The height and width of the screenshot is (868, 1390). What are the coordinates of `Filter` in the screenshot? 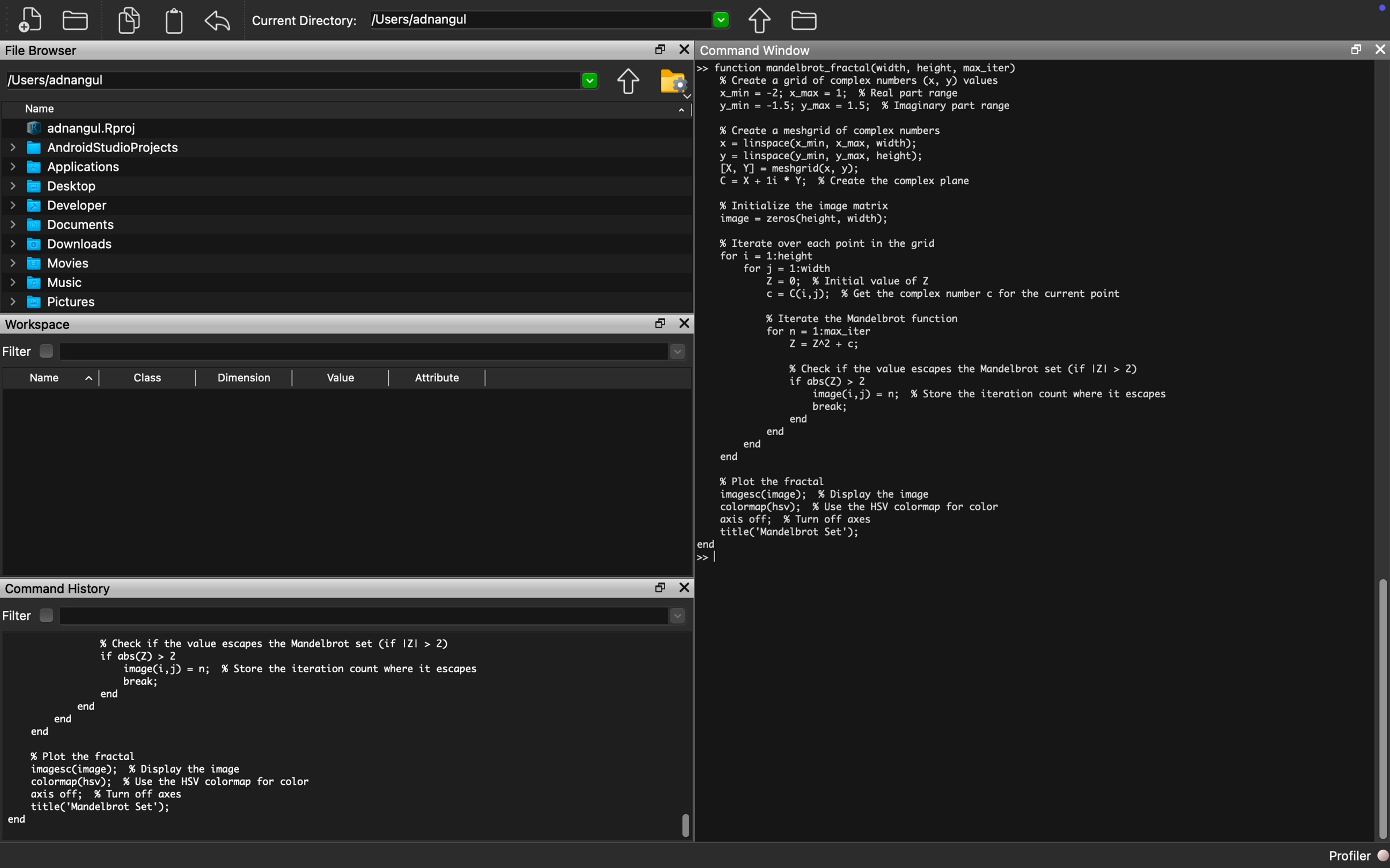 It's located at (17, 351).